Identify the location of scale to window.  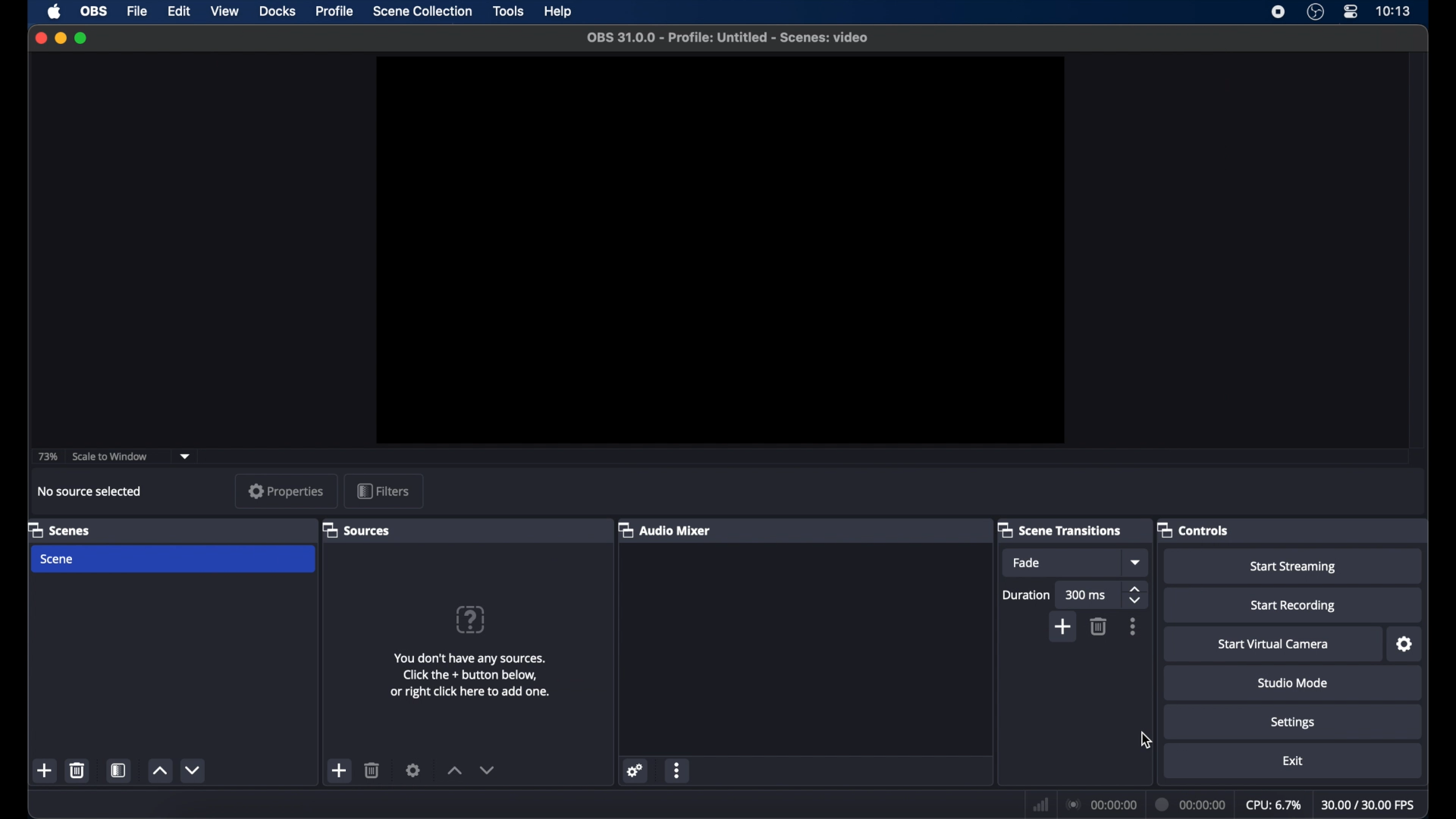
(111, 456).